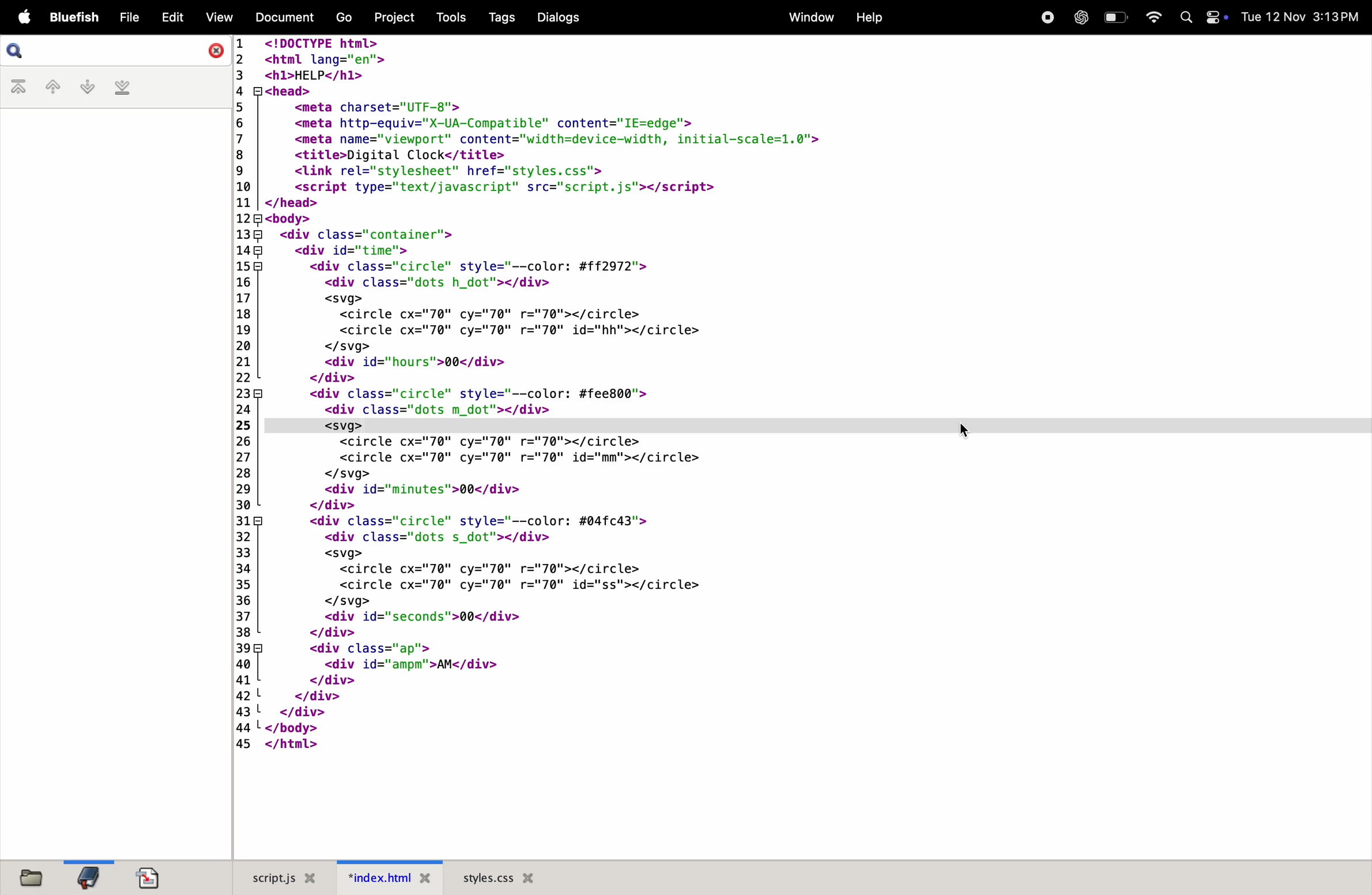 This screenshot has width=1372, height=895. What do you see at coordinates (87, 87) in the screenshot?
I see `next book mark` at bounding box center [87, 87].